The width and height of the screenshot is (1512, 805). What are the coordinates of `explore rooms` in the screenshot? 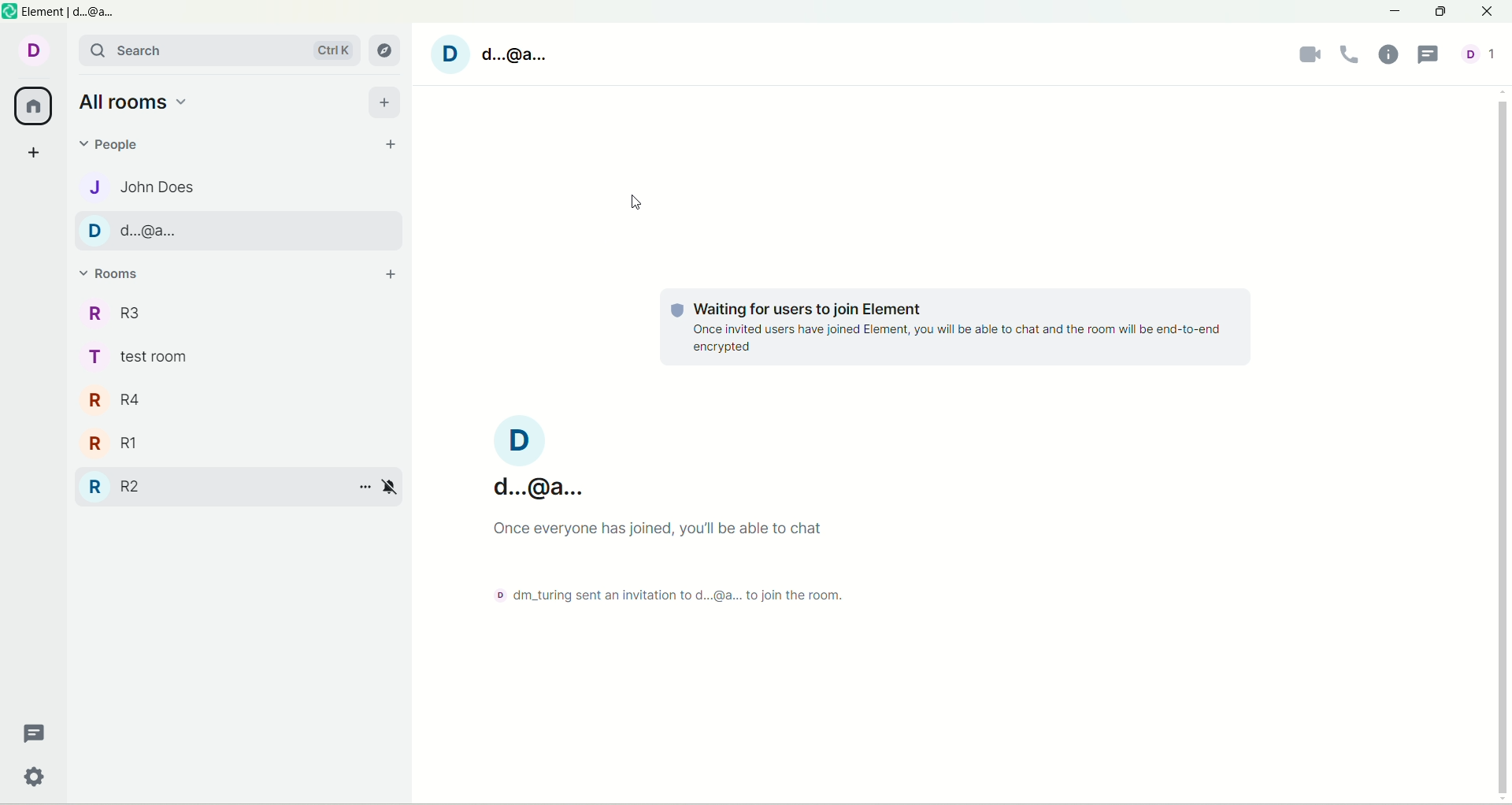 It's located at (386, 46).